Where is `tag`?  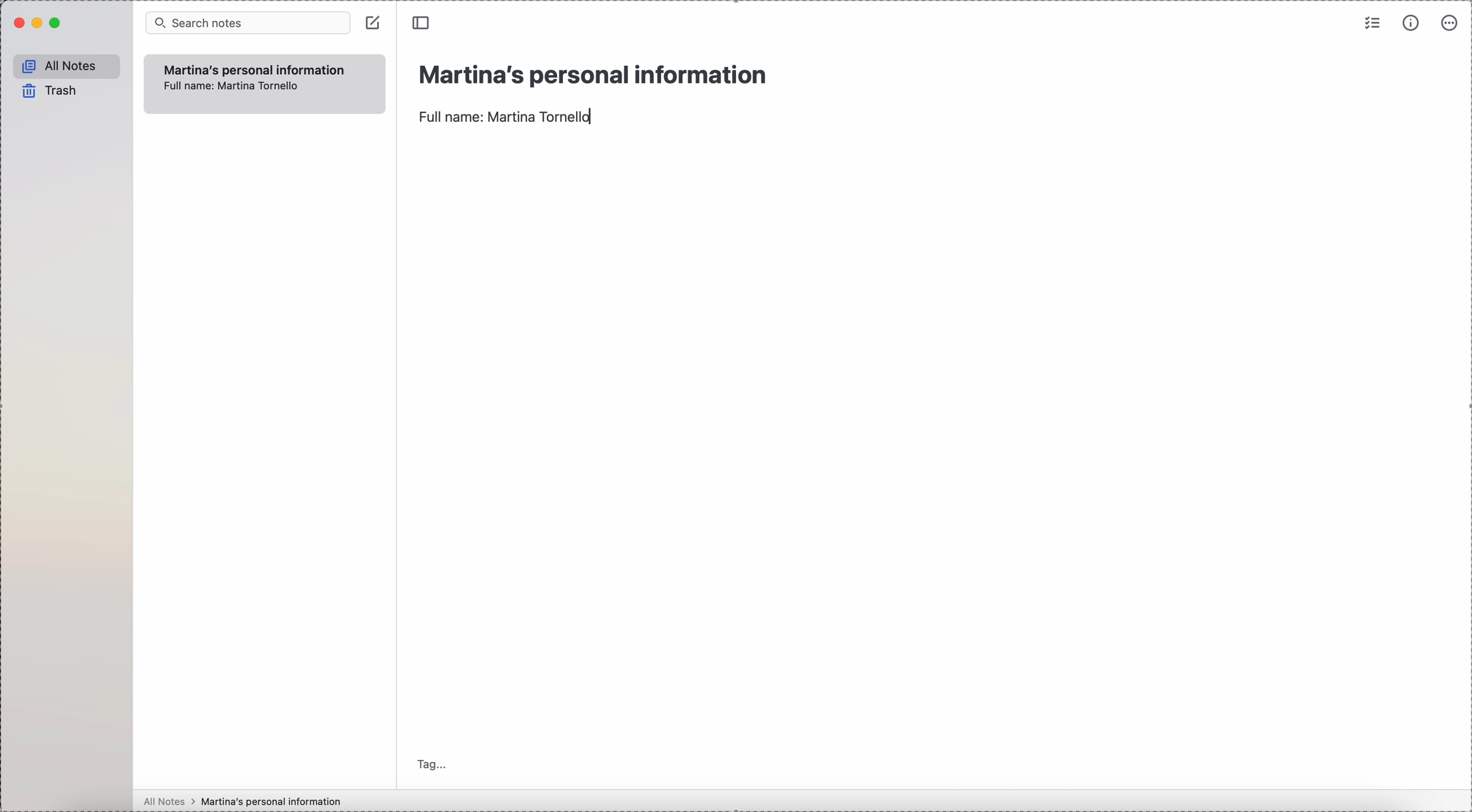 tag is located at coordinates (434, 763).